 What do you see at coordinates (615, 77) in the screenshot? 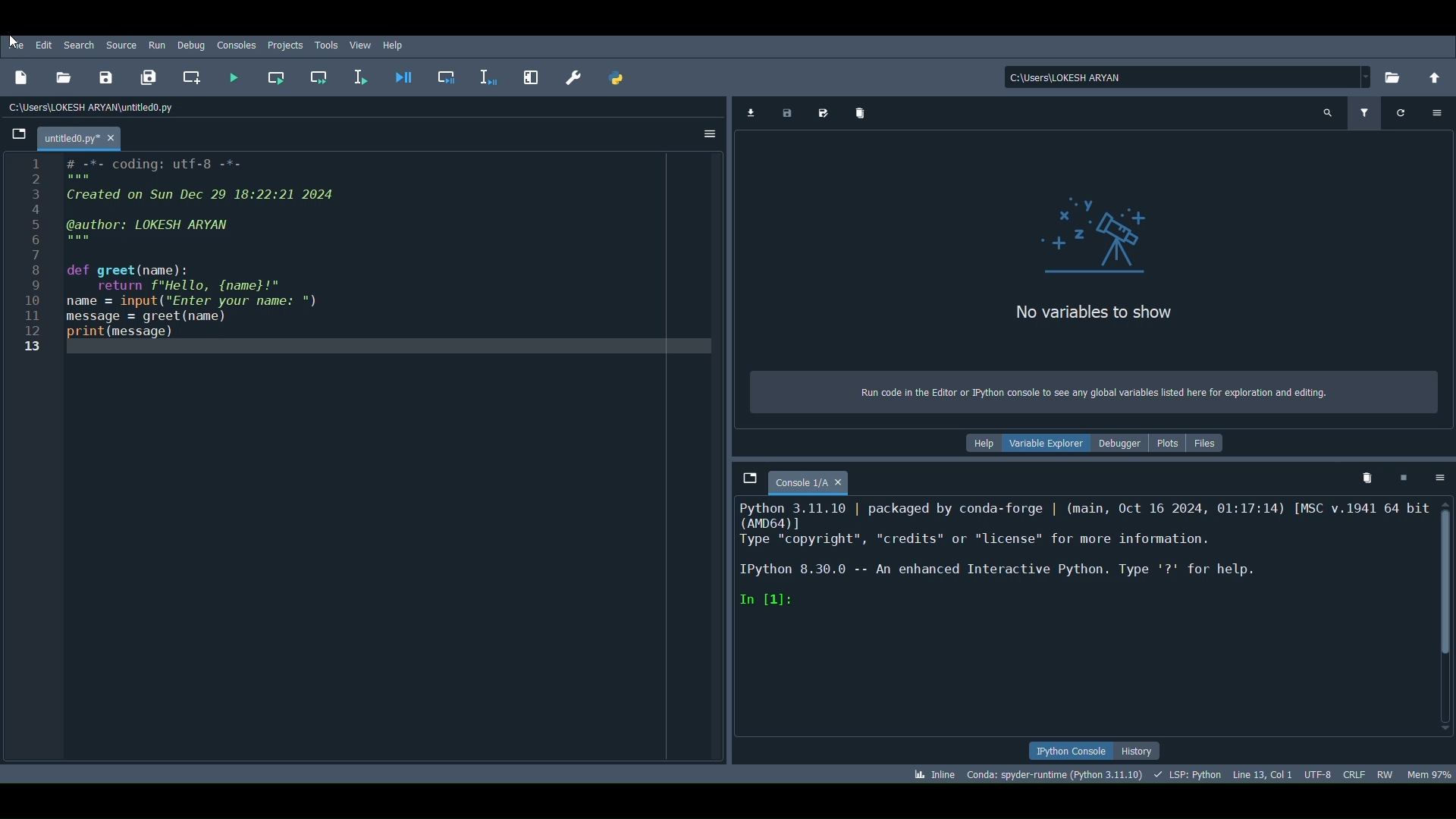
I see `PYTHONPATH manager` at bounding box center [615, 77].